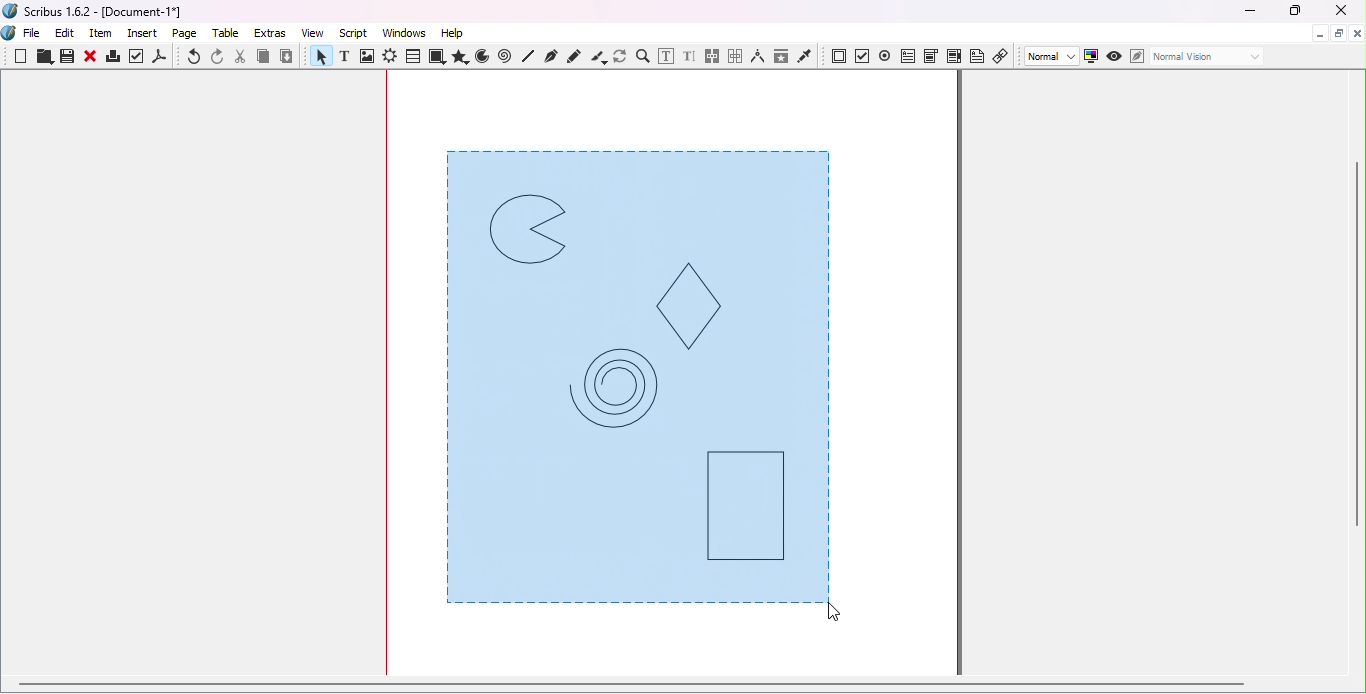 This screenshot has height=694, width=1366. Describe the element at coordinates (32, 34) in the screenshot. I see `File` at that location.